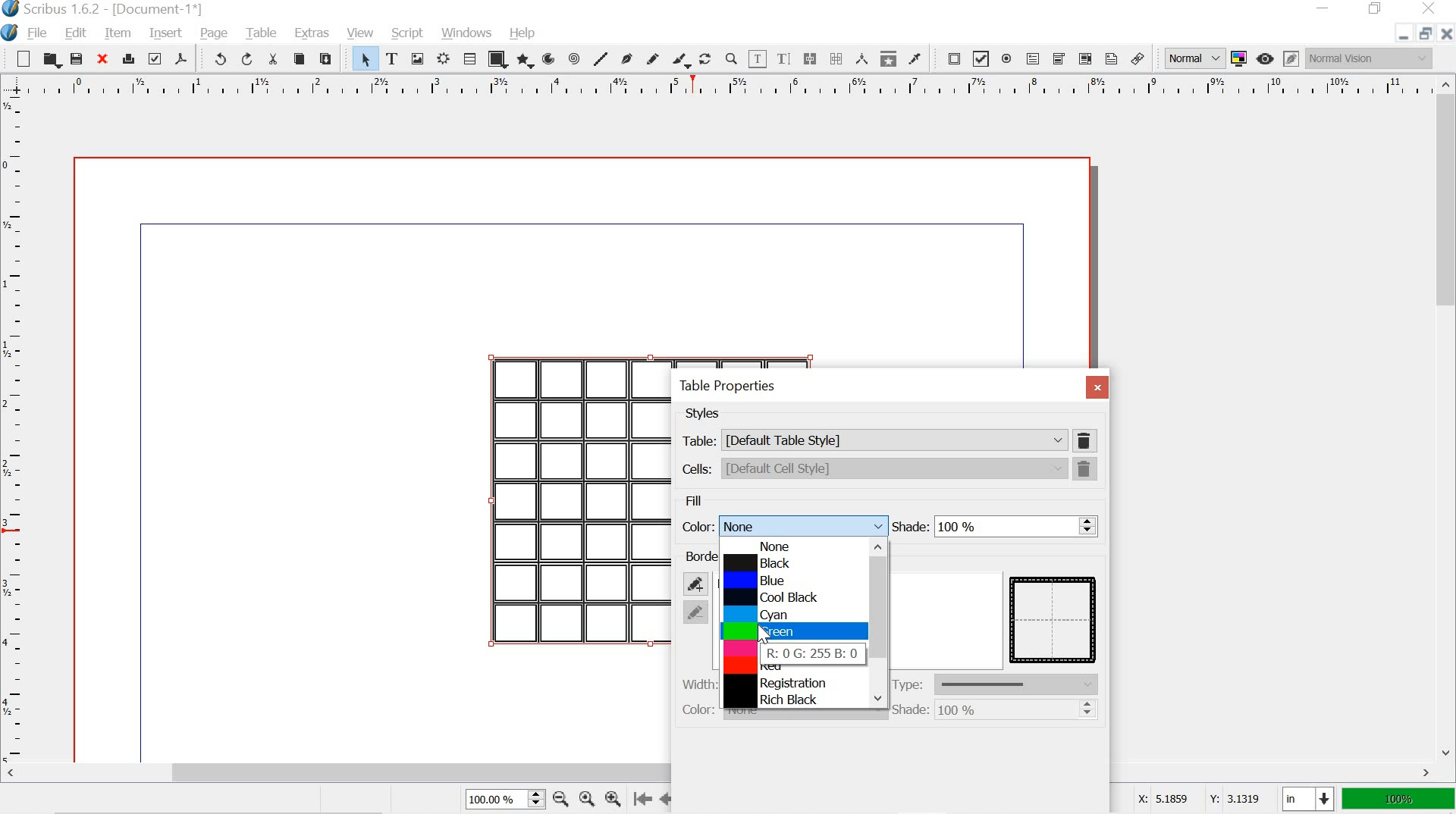 The width and height of the screenshot is (1456, 814). What do you see at coordinates (331, 61) in the screenshot?
I see `paste` at bounding box center [331, 61].